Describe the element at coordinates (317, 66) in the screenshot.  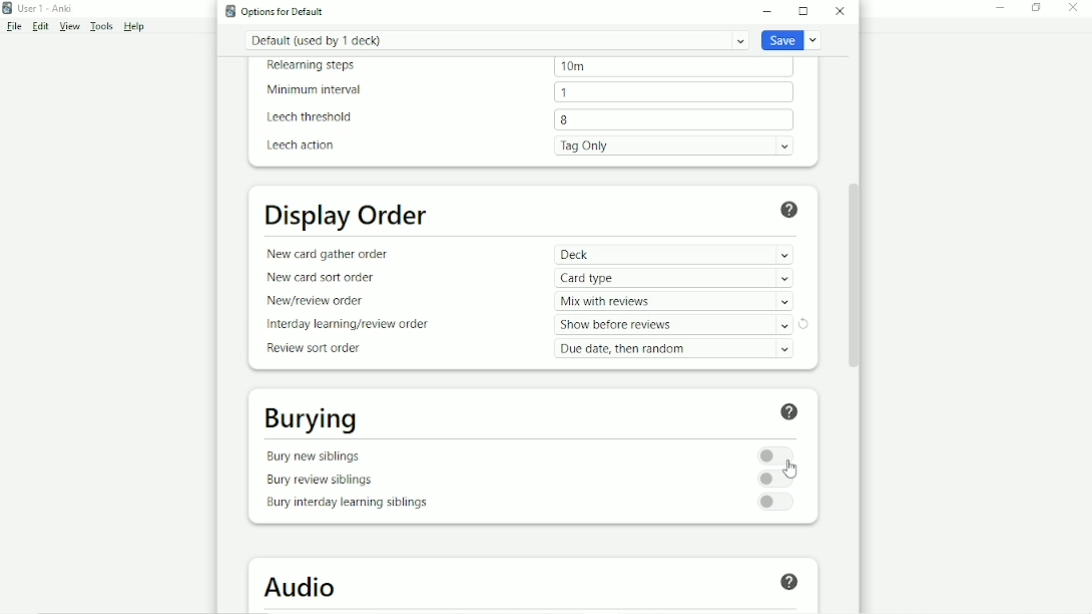
I see `relearning steps` at that location.